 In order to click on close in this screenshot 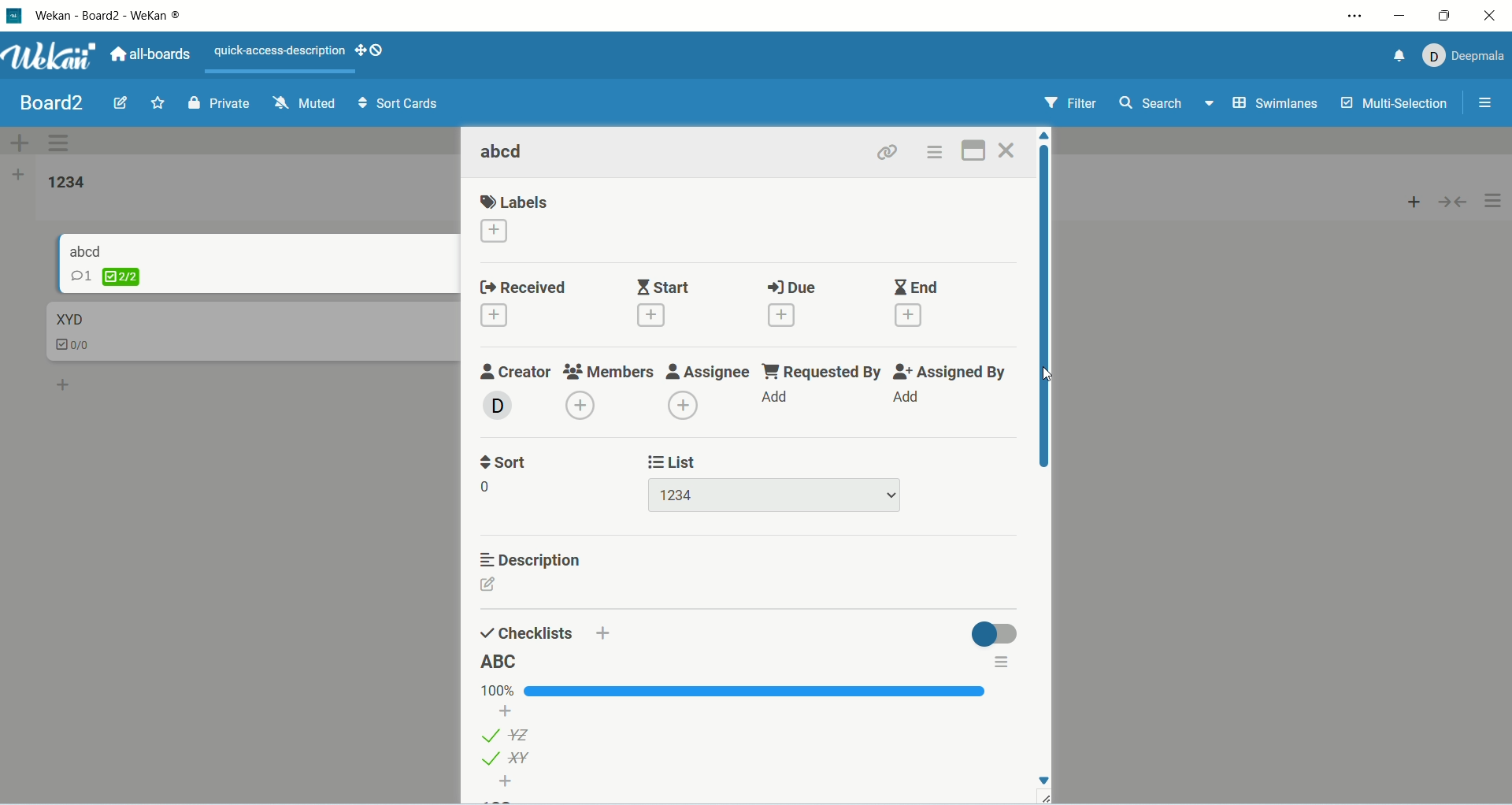, I will do `click(1483, 17)`.